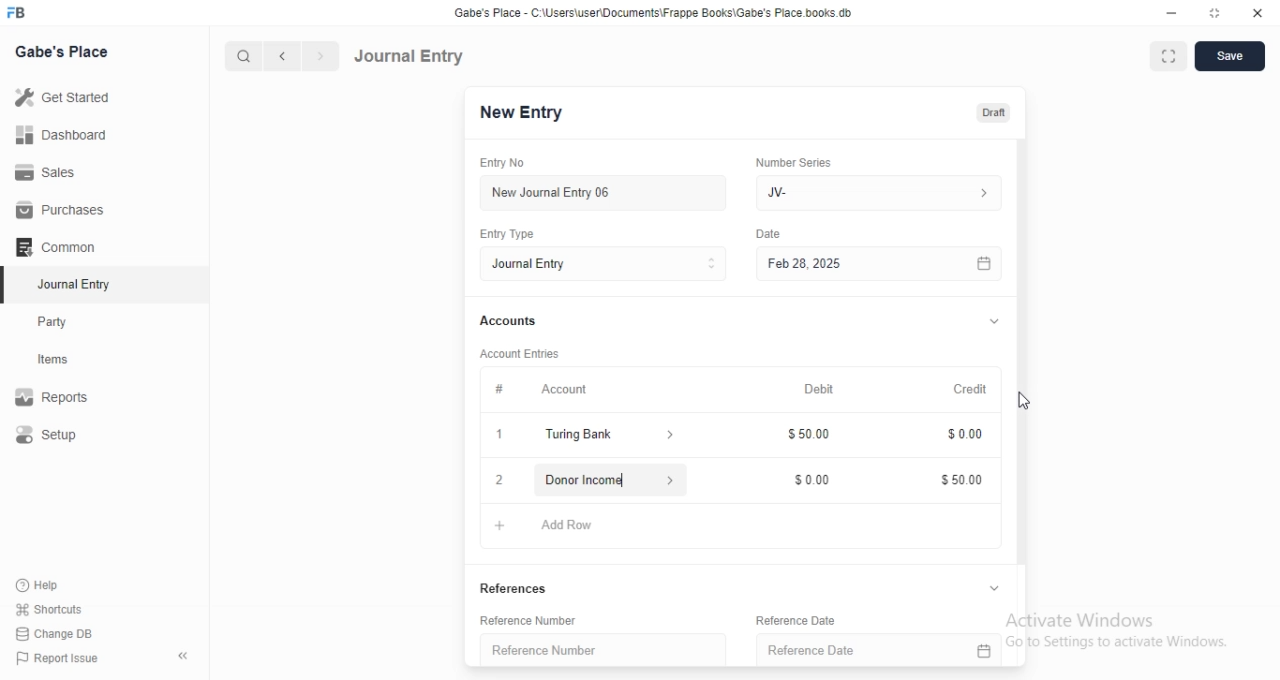 The width and height of the screenshot is (1280, 680). I want to click on Entry Type, so click(514, 233).